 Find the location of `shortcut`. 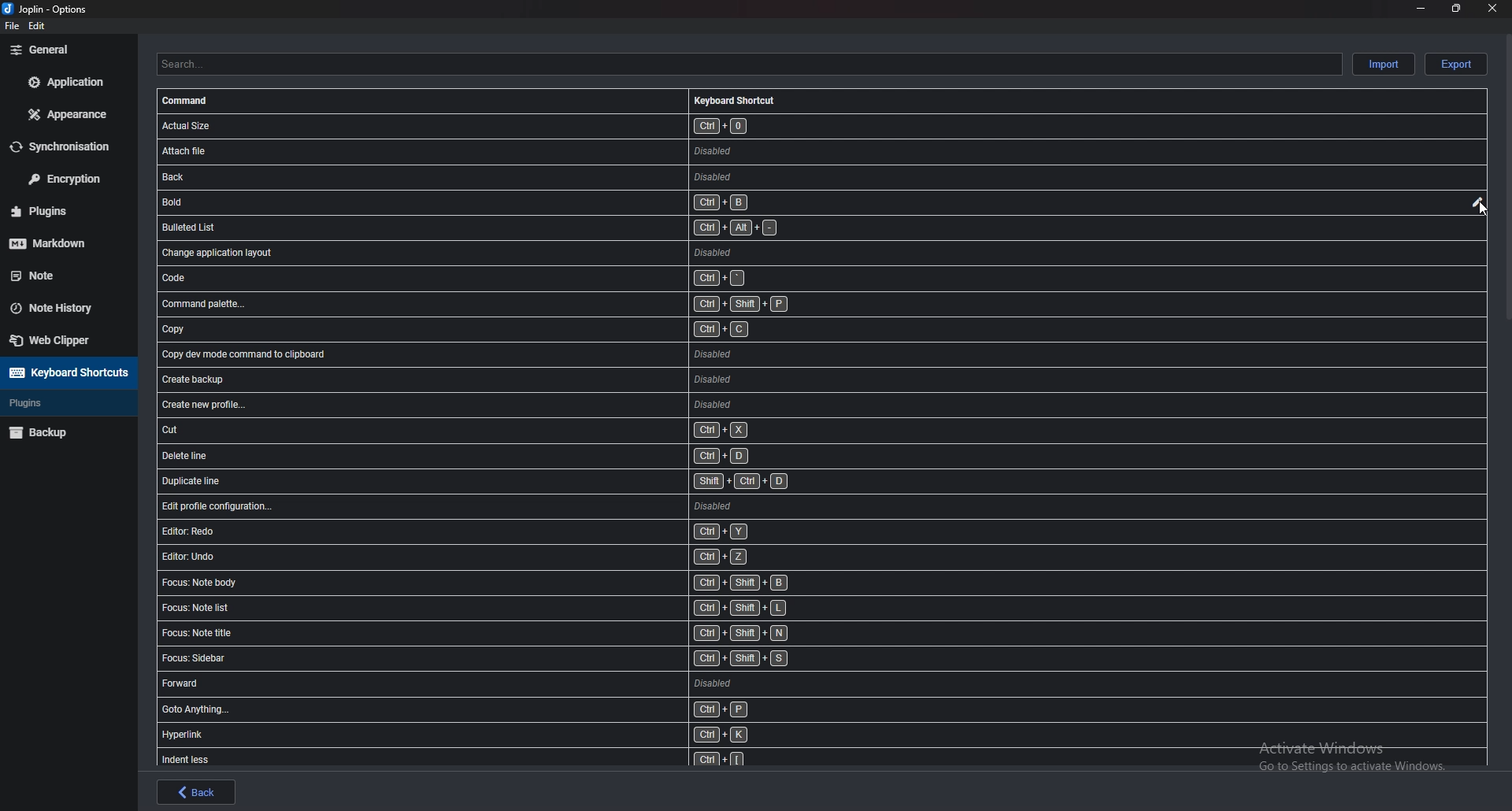

shortcut is located at coordinates (491, 306).